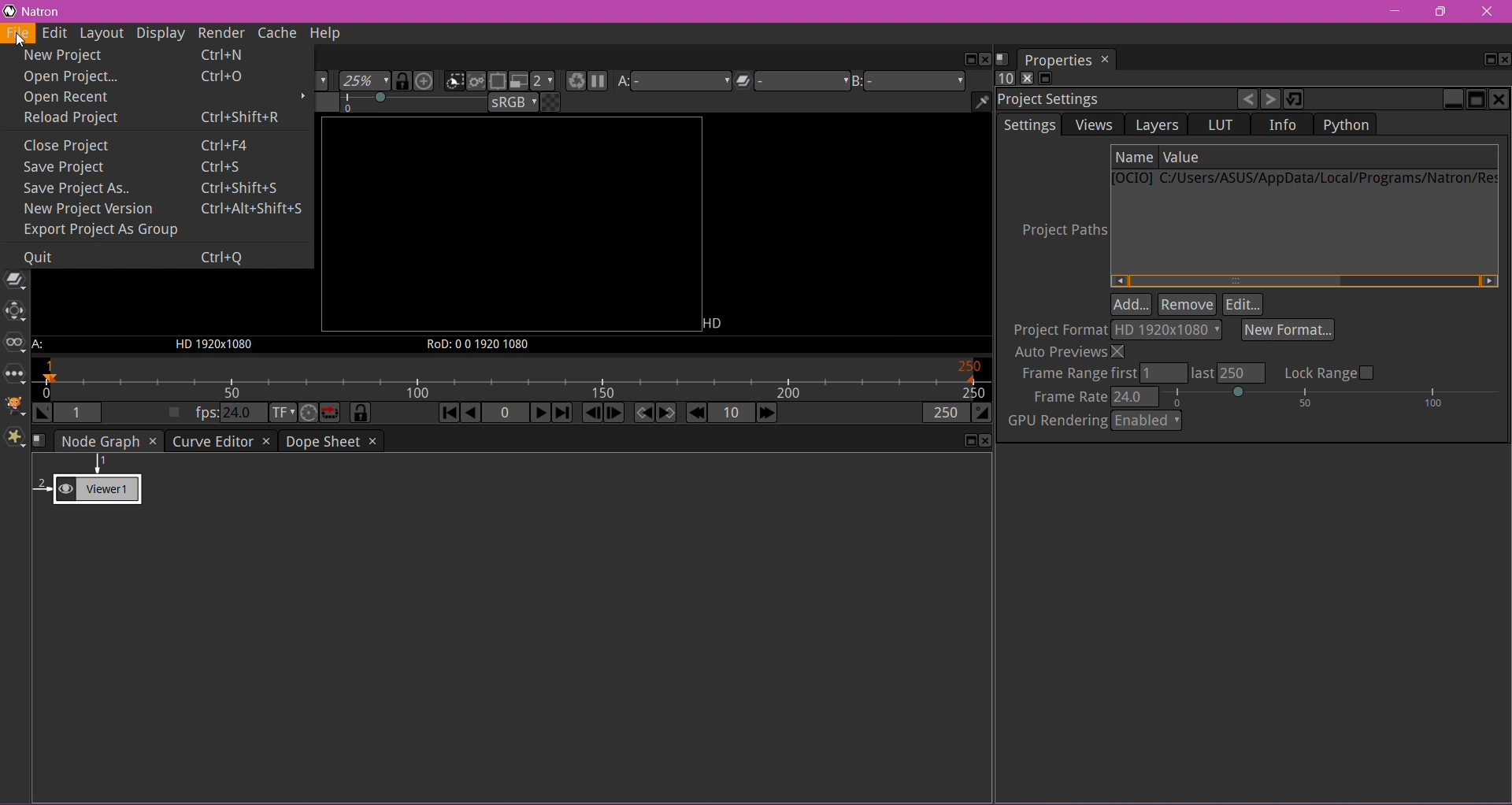 This screenshot has width=1512, height=805. What do you see at coordinates (1304, 281) in the screenshot?
I see `Horizontal Scroll Bar` at bounding box center [1304, 281].